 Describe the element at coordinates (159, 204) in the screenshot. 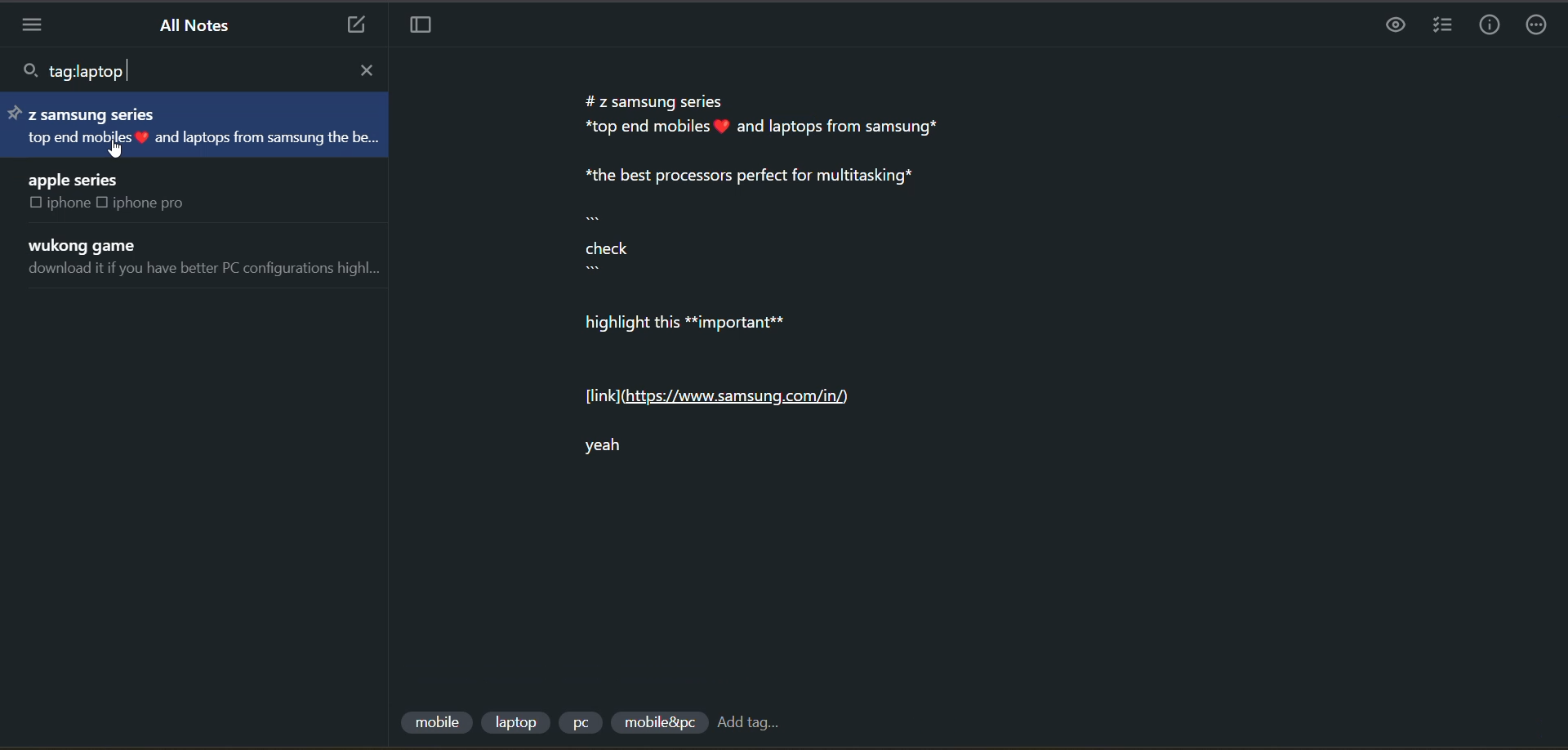

I see ` iphone pro` at that location.